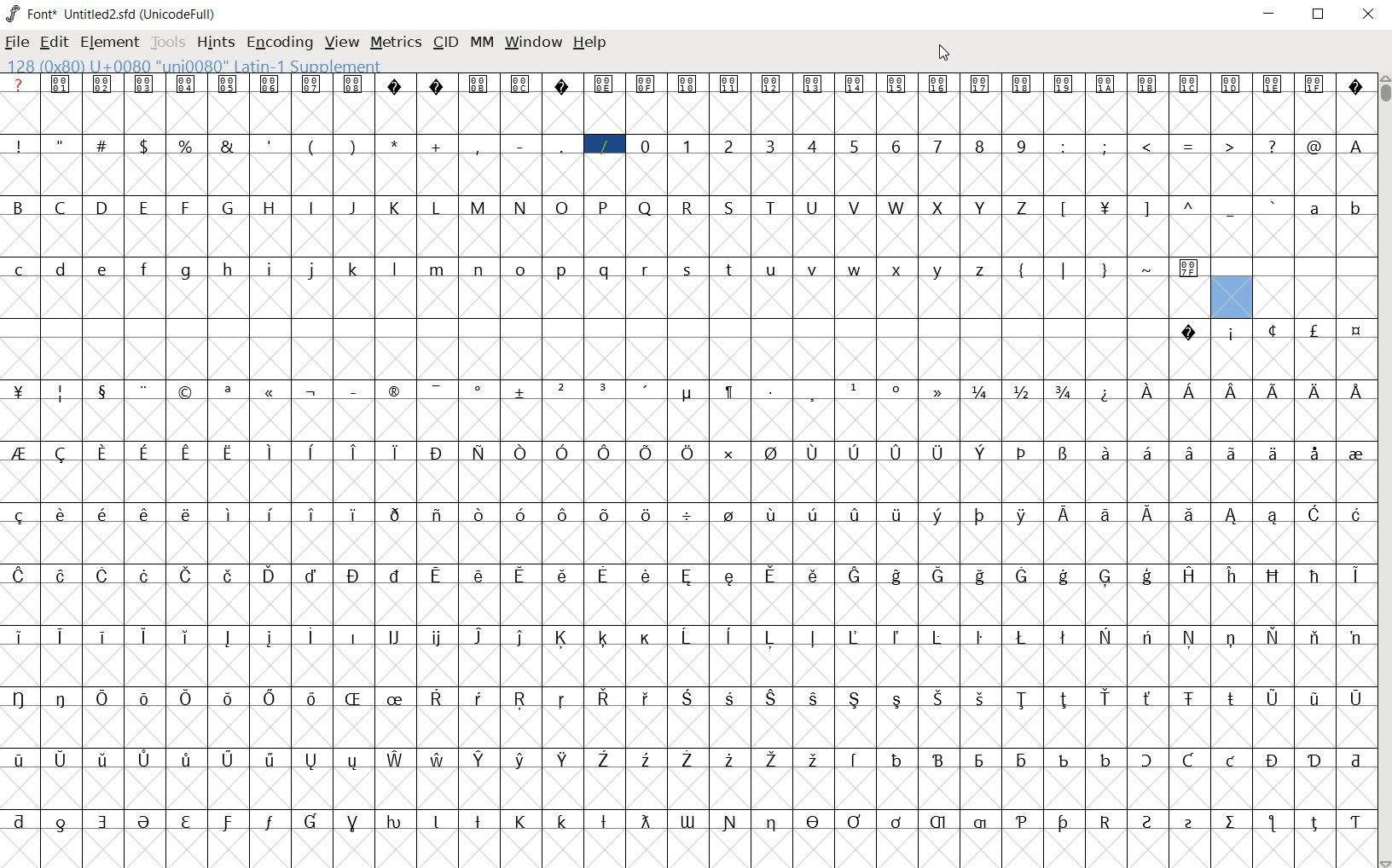  What do you see at coordinates (311, 452) in the screenshot?
I see `glyph` at bounding box center [311, 452].